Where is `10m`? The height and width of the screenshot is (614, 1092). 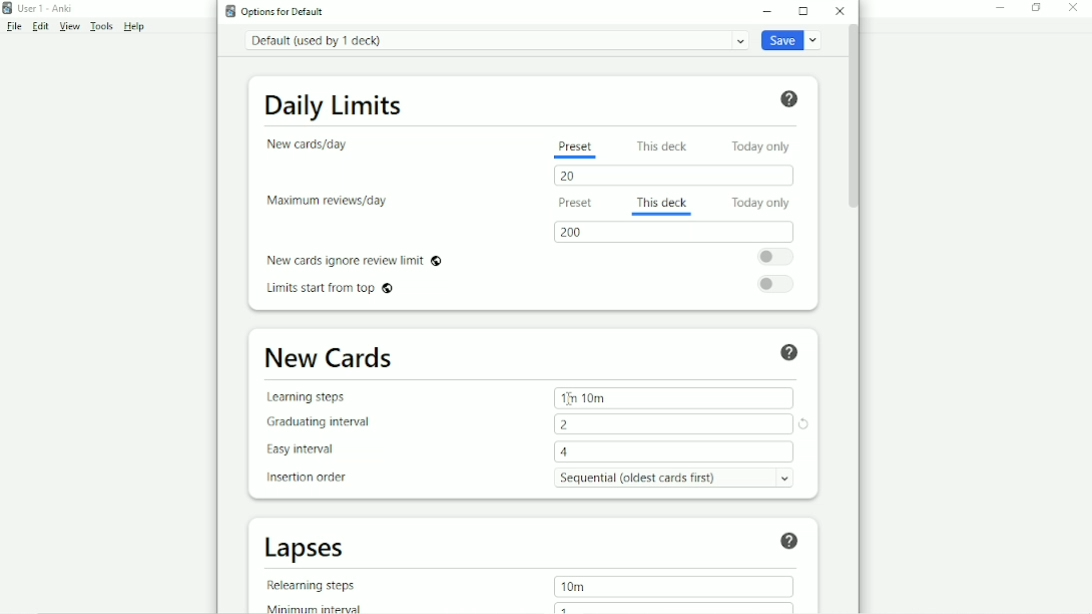
10m is located at coordinates (575, 586).